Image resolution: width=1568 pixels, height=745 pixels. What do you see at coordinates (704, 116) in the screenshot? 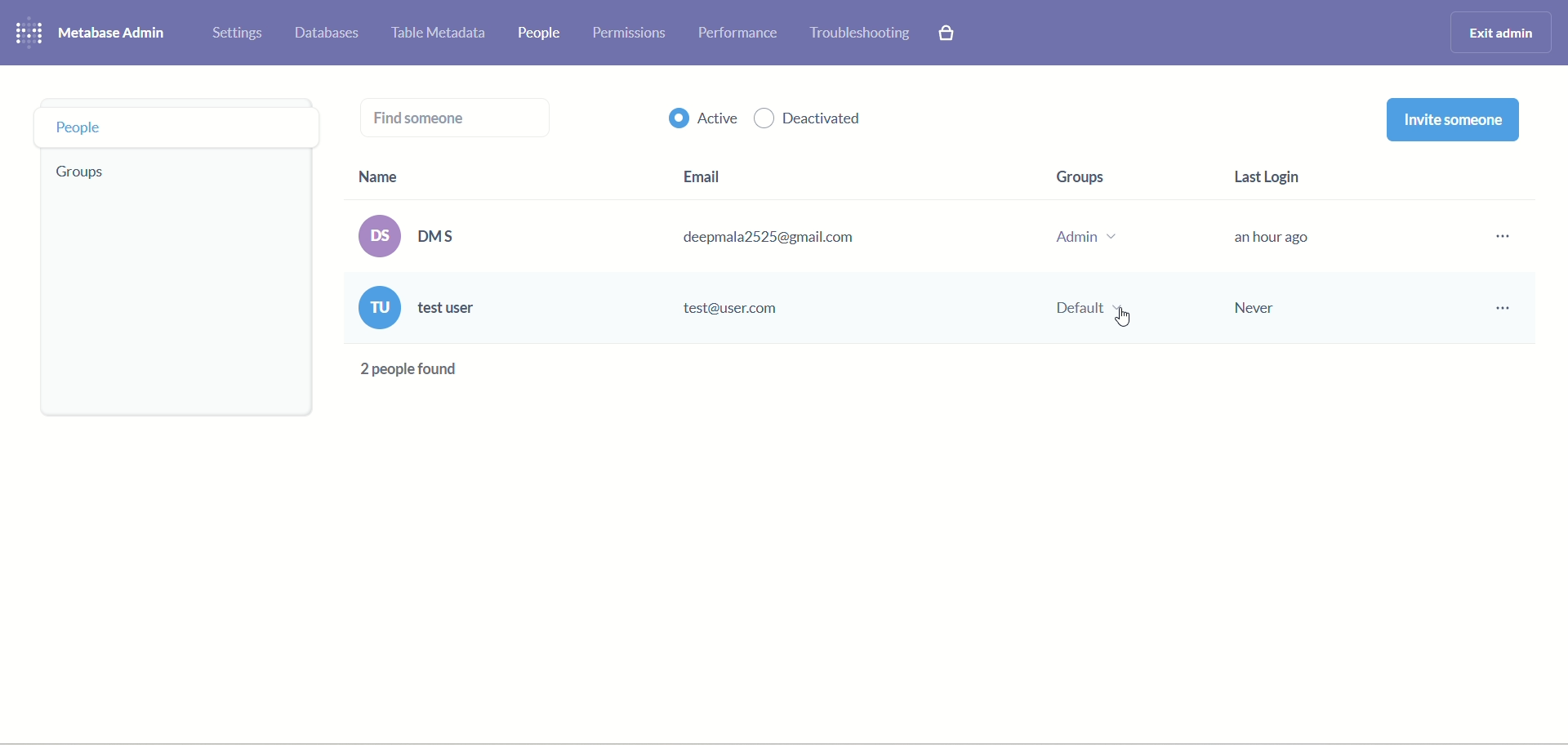
I see `active` at bounding box center [704, 116].